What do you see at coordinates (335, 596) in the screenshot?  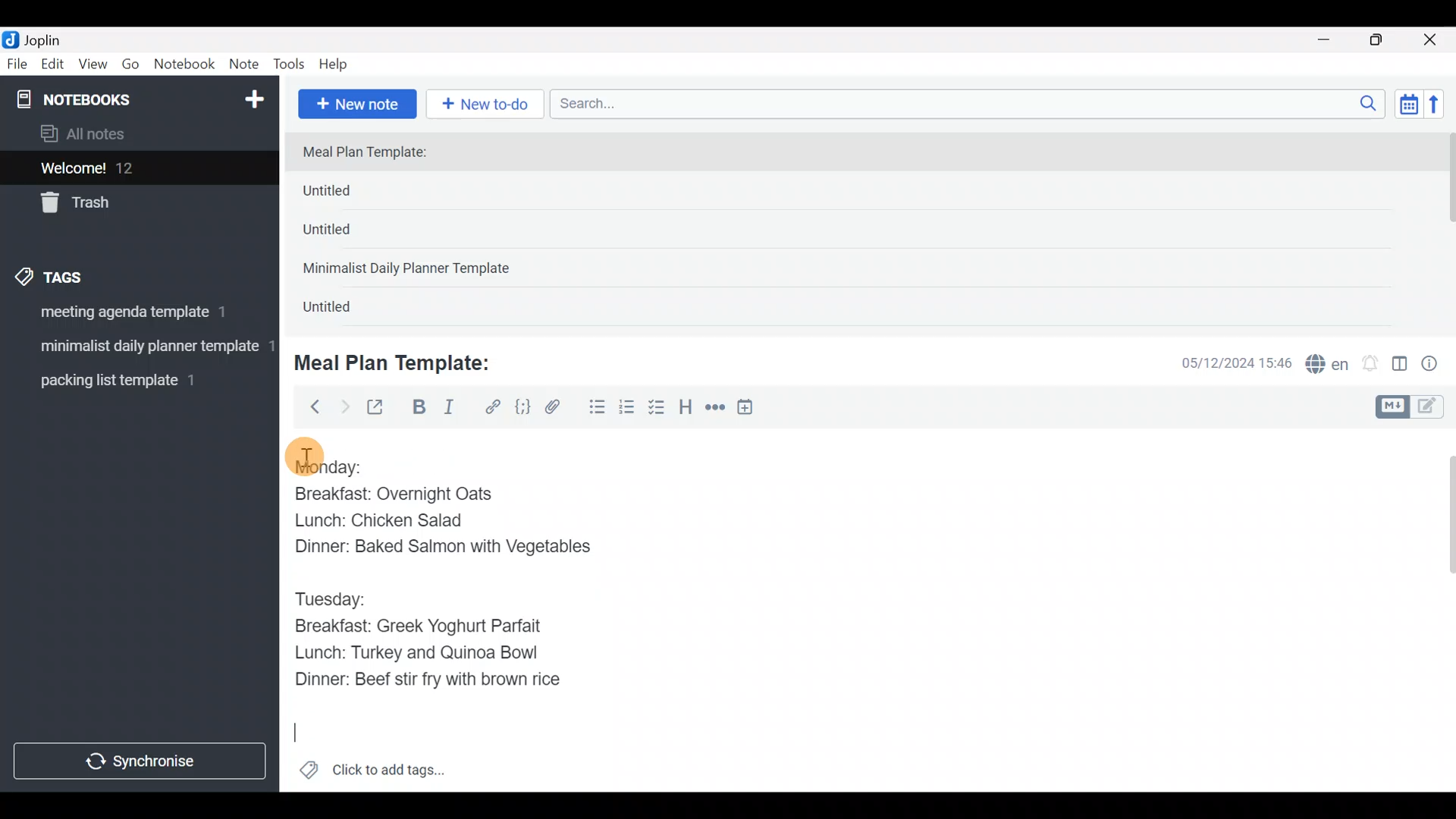 I see `Tuesday:` at bounding box center [335, 596].